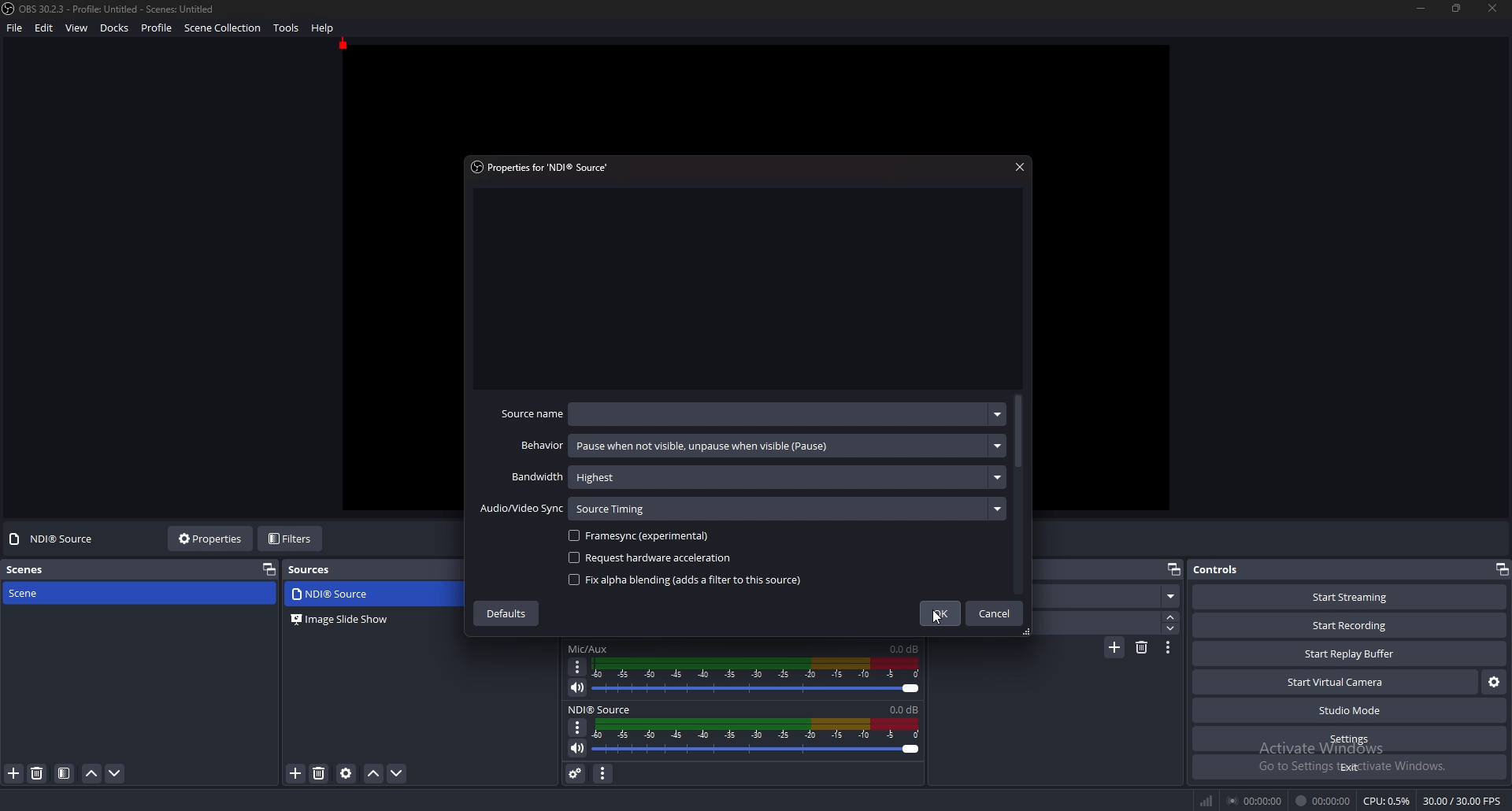 The image size is (1512, 811). Describe the element at coordinates (40, 569) in the screenshot. I see `scenes` at that location.